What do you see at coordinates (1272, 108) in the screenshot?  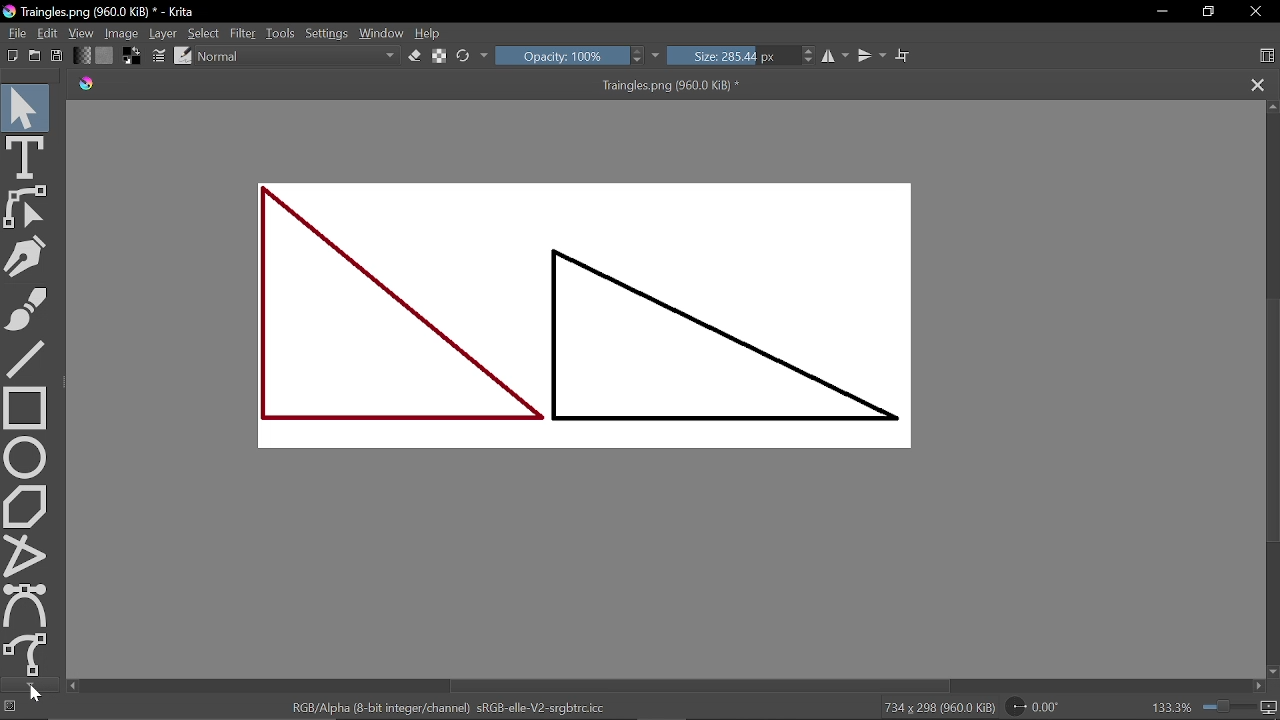 I see `Move up` at bounding box center [1272, 108].